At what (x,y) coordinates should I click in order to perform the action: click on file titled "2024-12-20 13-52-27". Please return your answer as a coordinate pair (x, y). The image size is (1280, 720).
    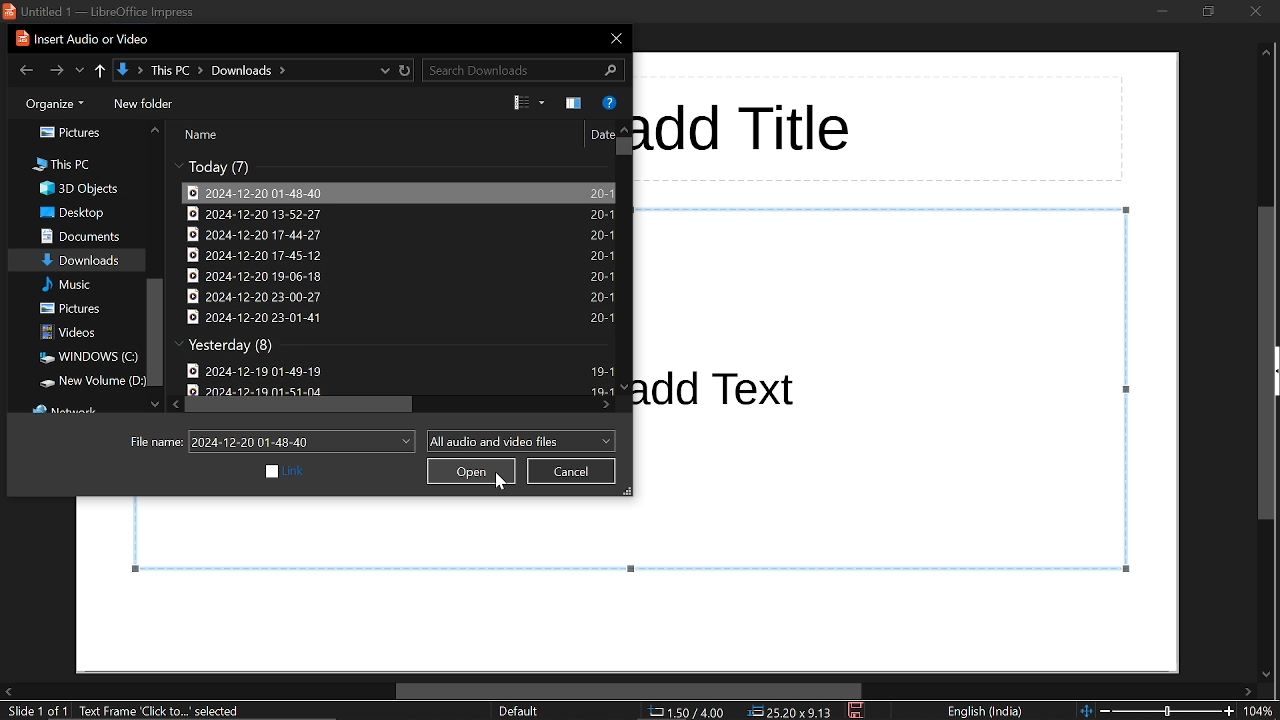
    Looking at the image, I should click on (395, 213).